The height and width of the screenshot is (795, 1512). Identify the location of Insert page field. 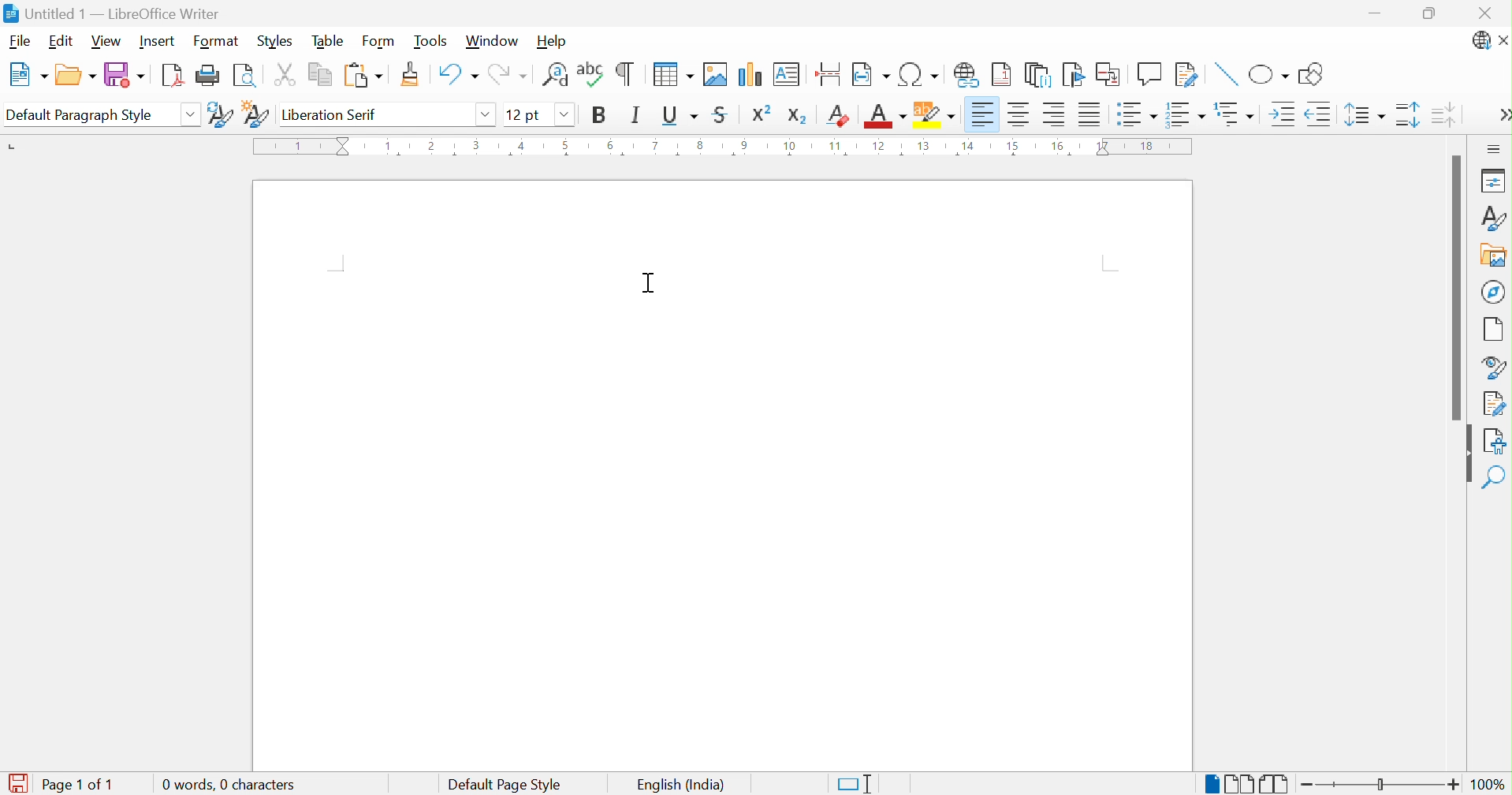
(870, 74).